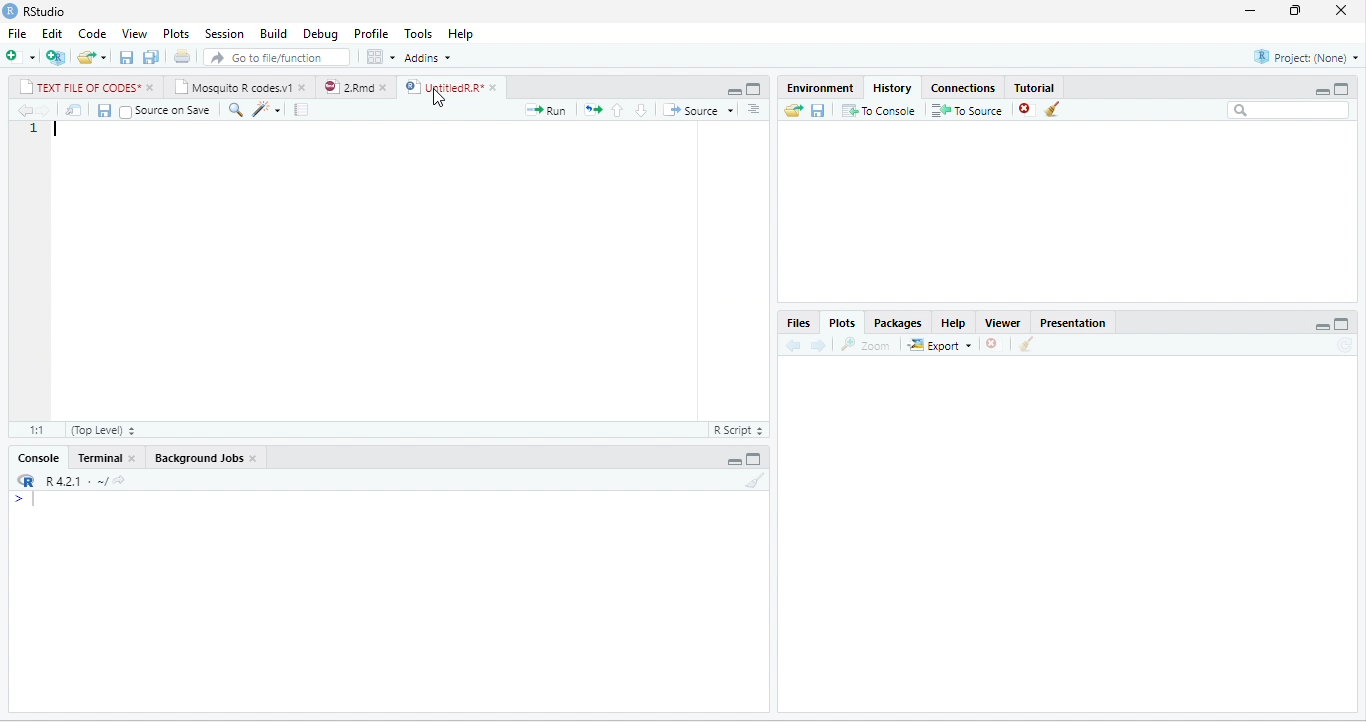  Describe the element at coordinates (618, 110) in the screenshot. I see `up` at that location.